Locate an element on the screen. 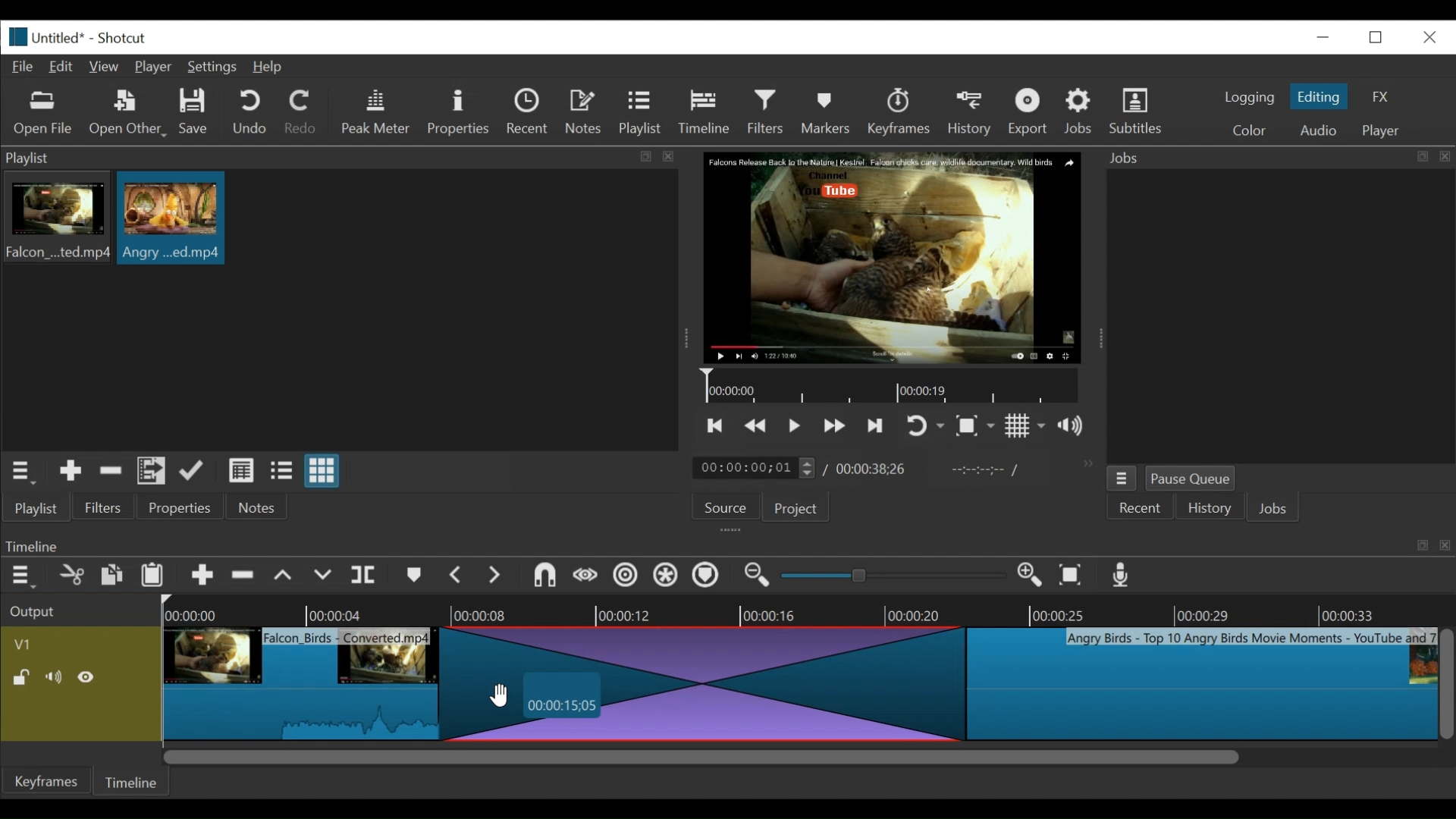 Image resolution: width=1456 pixels, height=819 pixels. toggle player looping is located at coordinates (925, 427).